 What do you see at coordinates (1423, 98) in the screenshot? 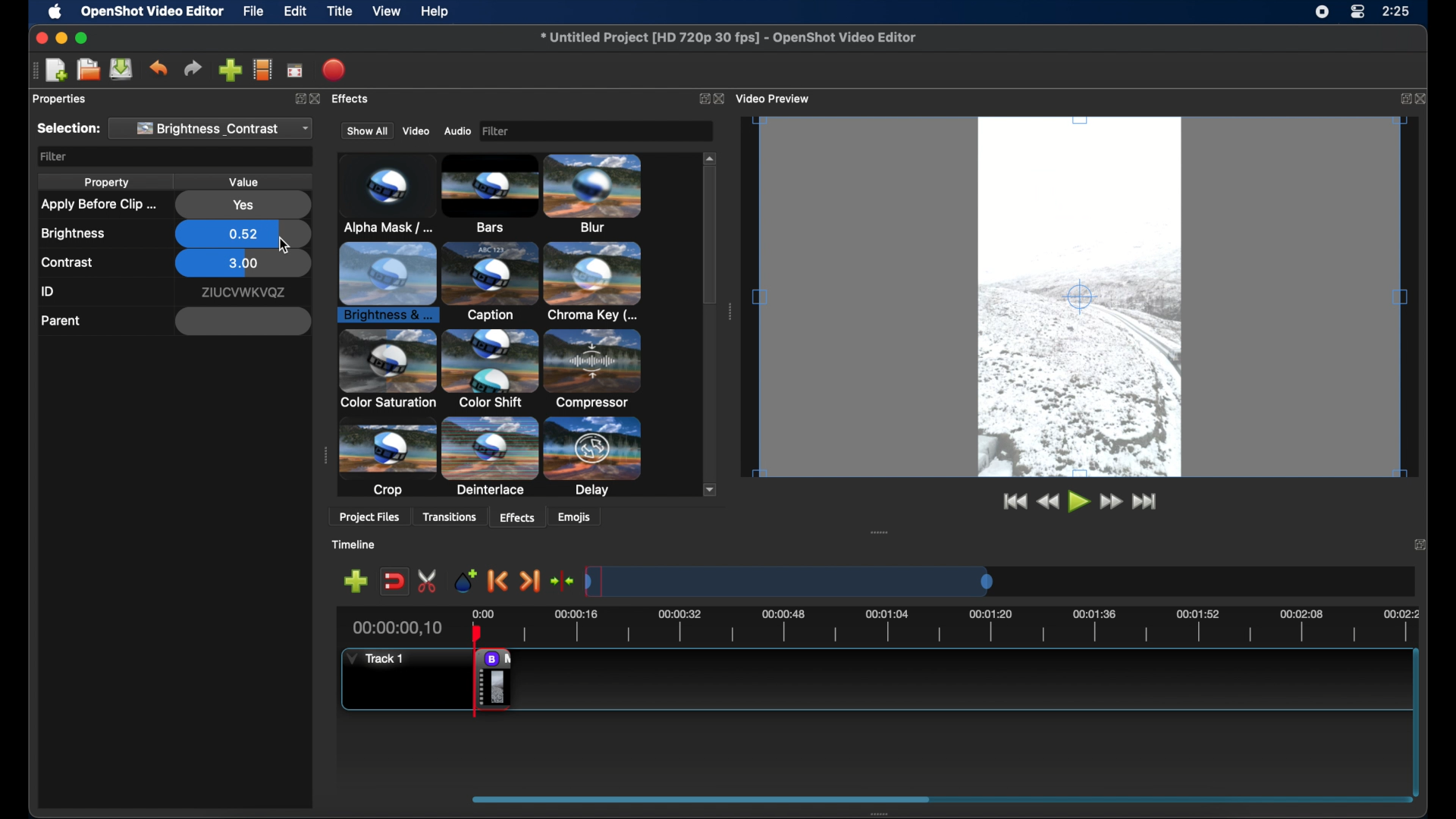
I see `close` at bounding box center [1423, 98].